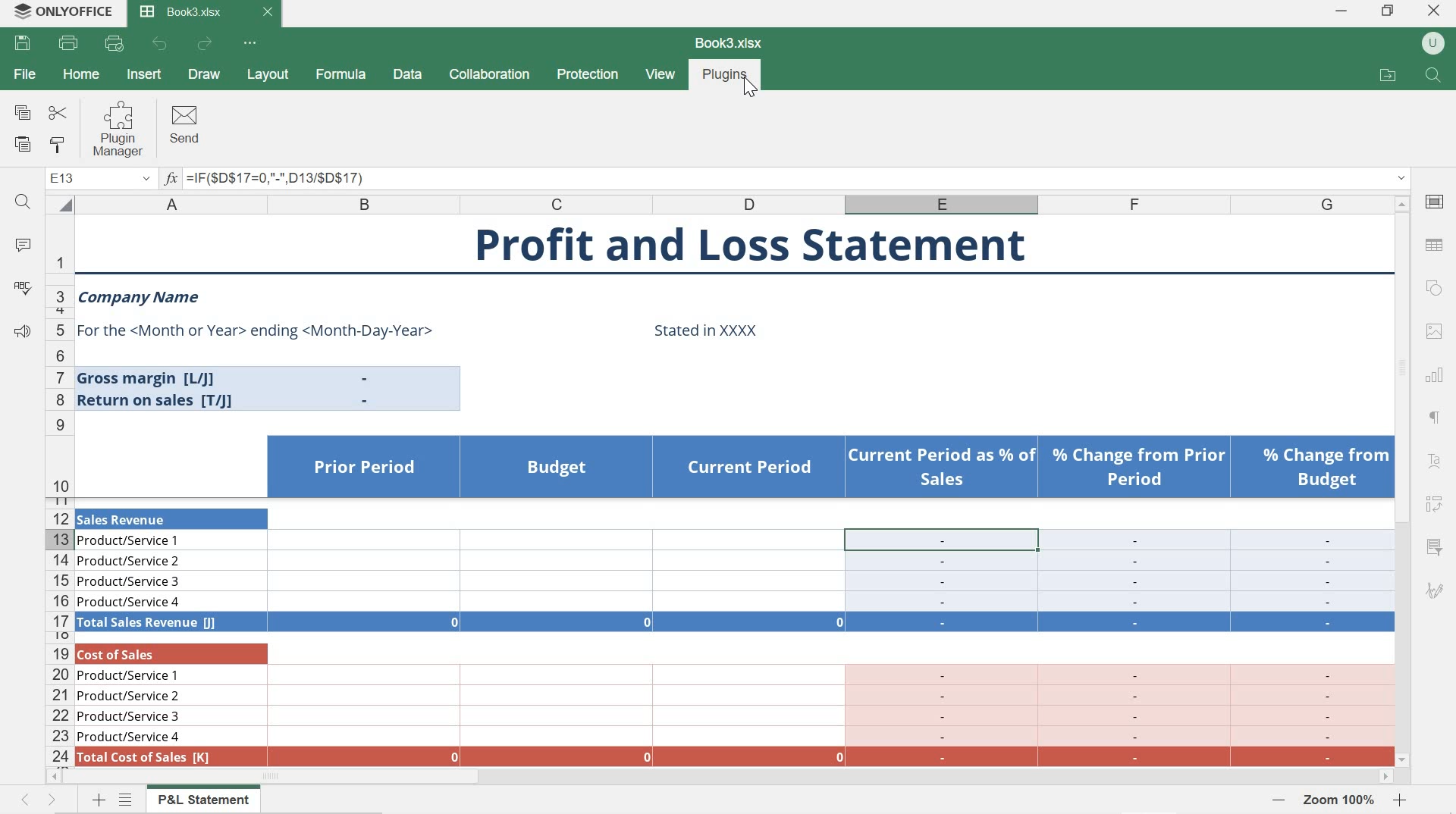  Describe the element at coordinates (786, 180) in the screenshot. I see `insert function` at that location.